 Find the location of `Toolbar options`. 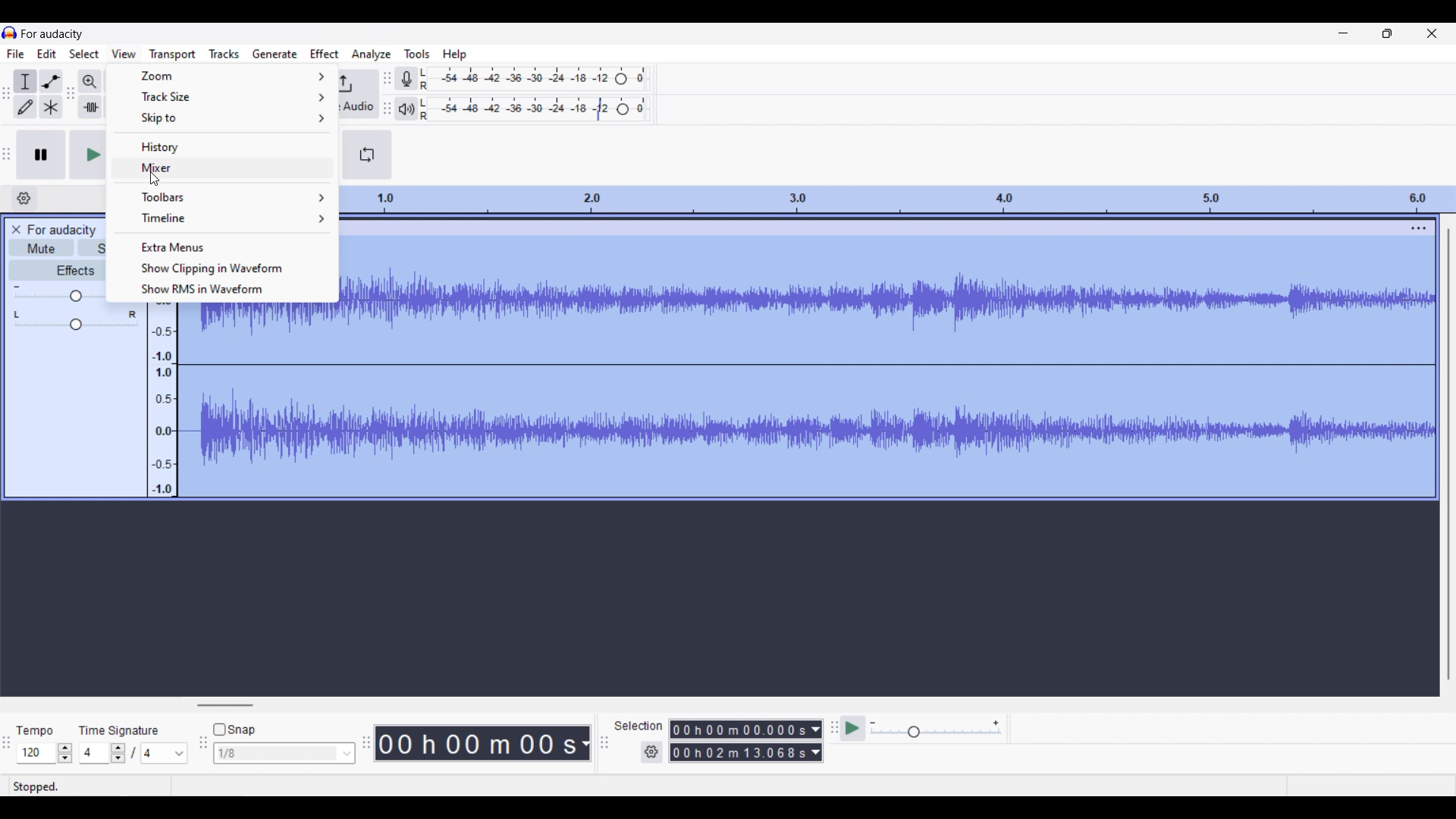

Toolbar options is located at coordinates (222, 196).